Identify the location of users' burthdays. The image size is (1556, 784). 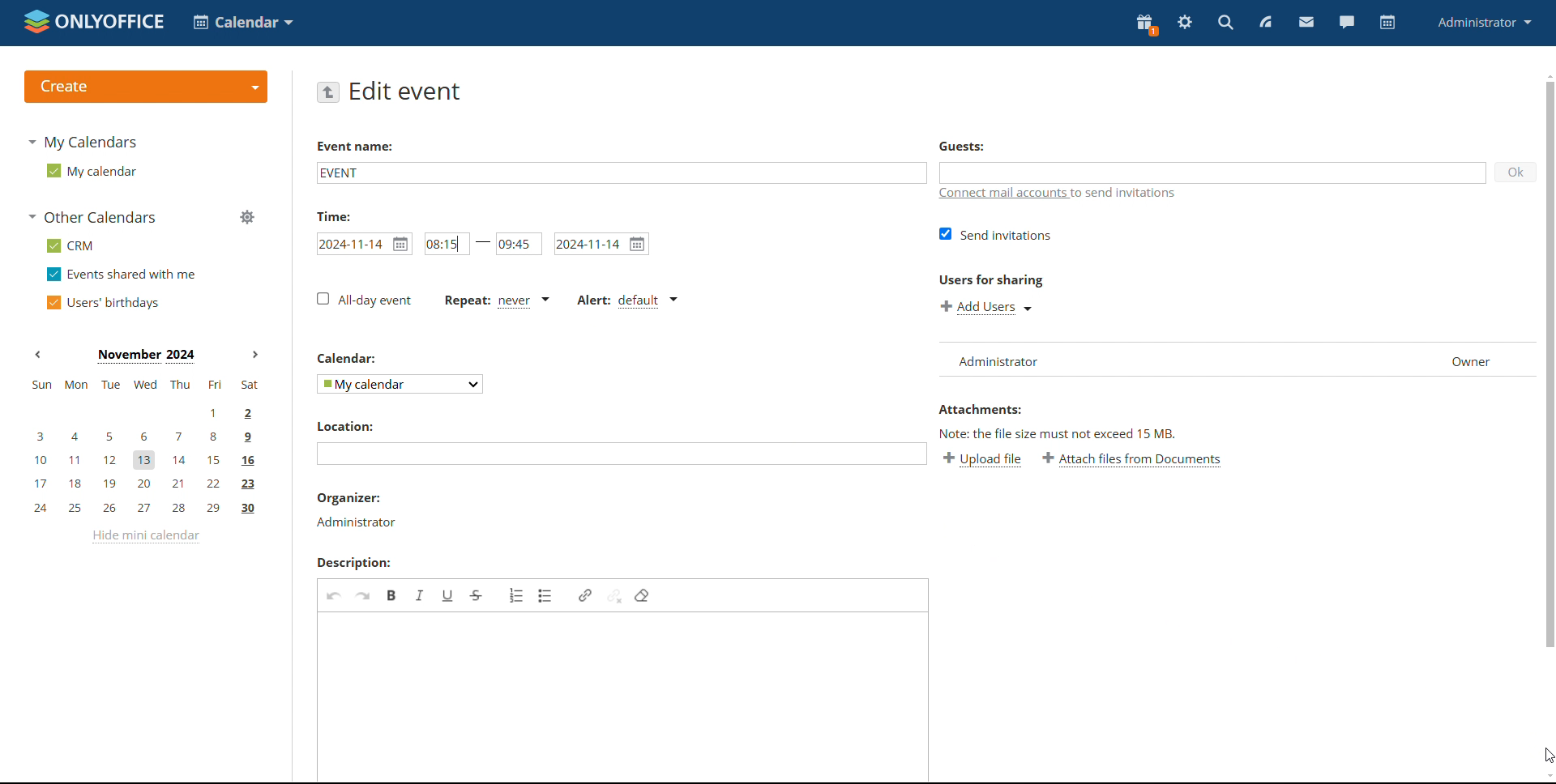
(106, 301).